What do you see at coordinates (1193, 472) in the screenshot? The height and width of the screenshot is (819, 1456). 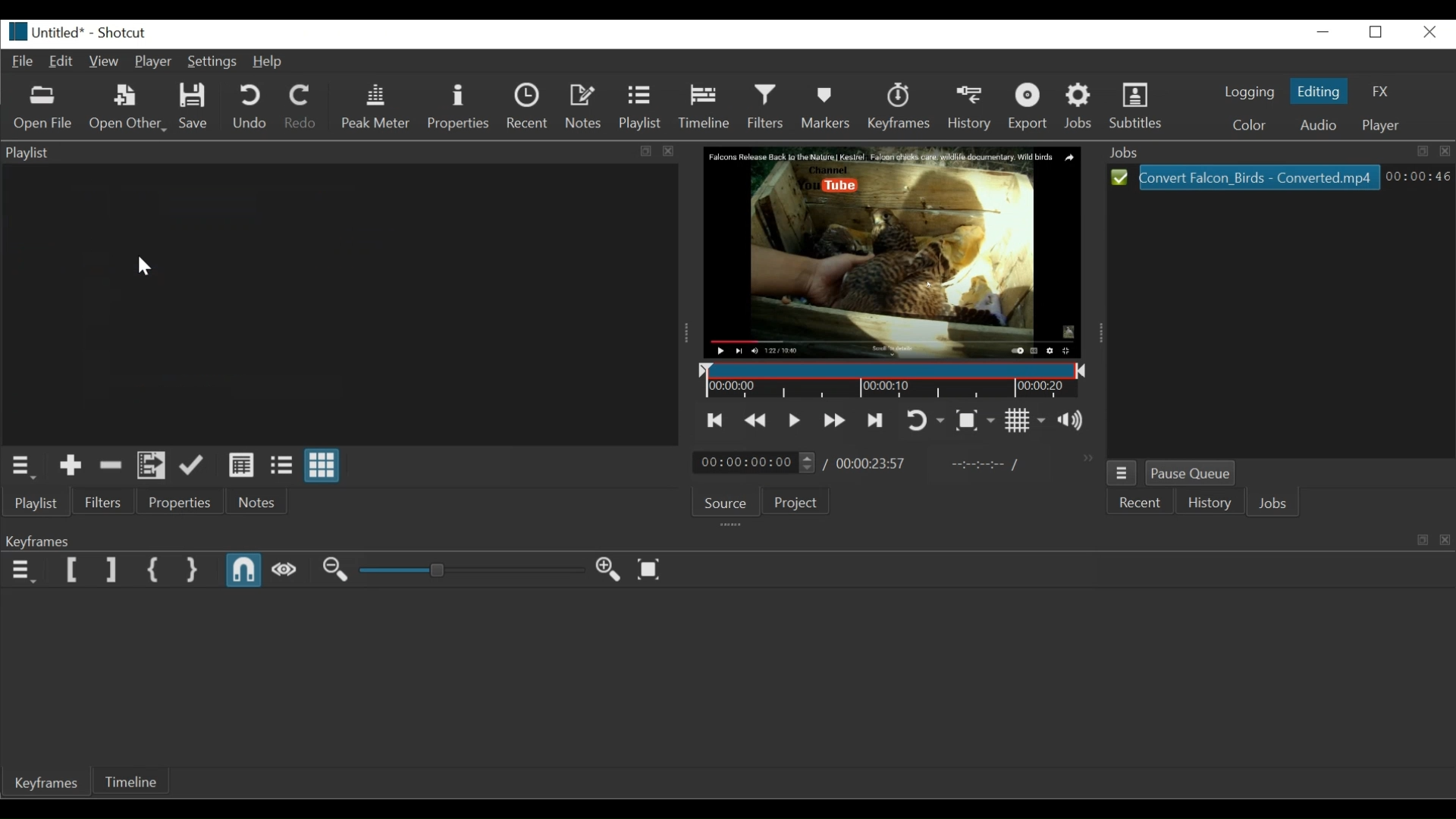 I see `Pause Queue` at bounding box center [1193, 472].